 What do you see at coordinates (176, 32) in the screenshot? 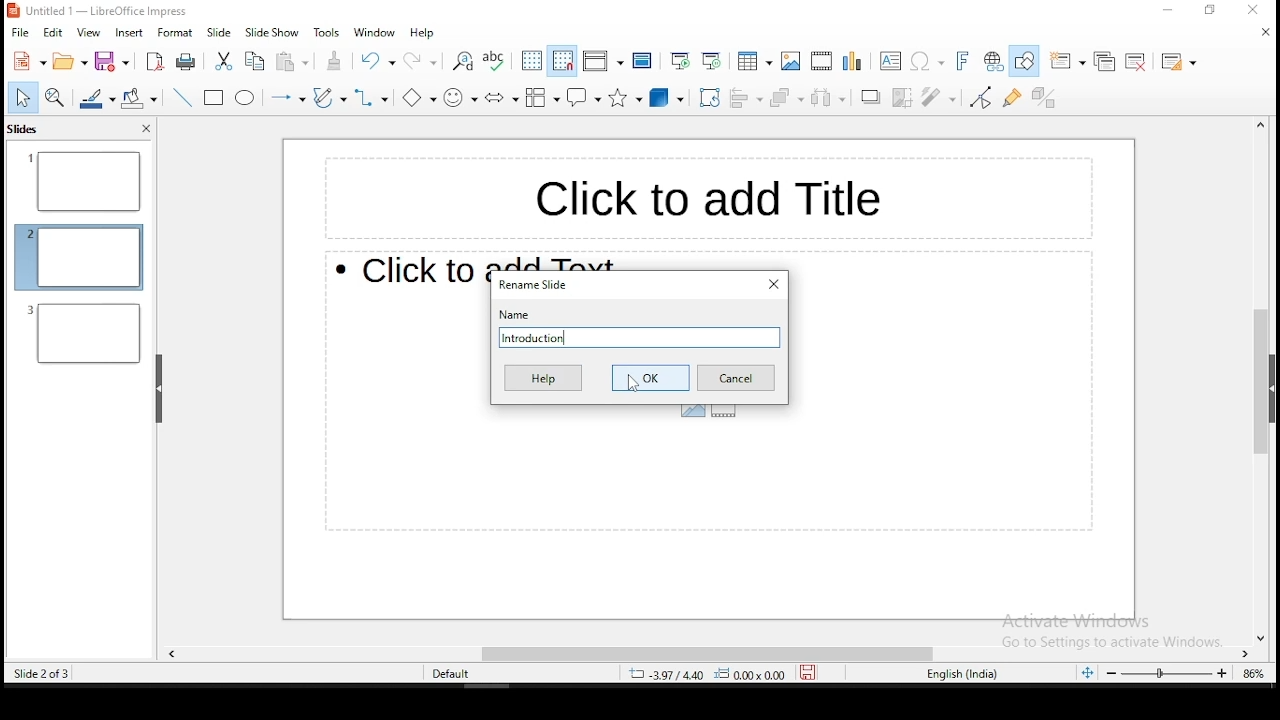
I see `format` at bounding box center [176, 32].